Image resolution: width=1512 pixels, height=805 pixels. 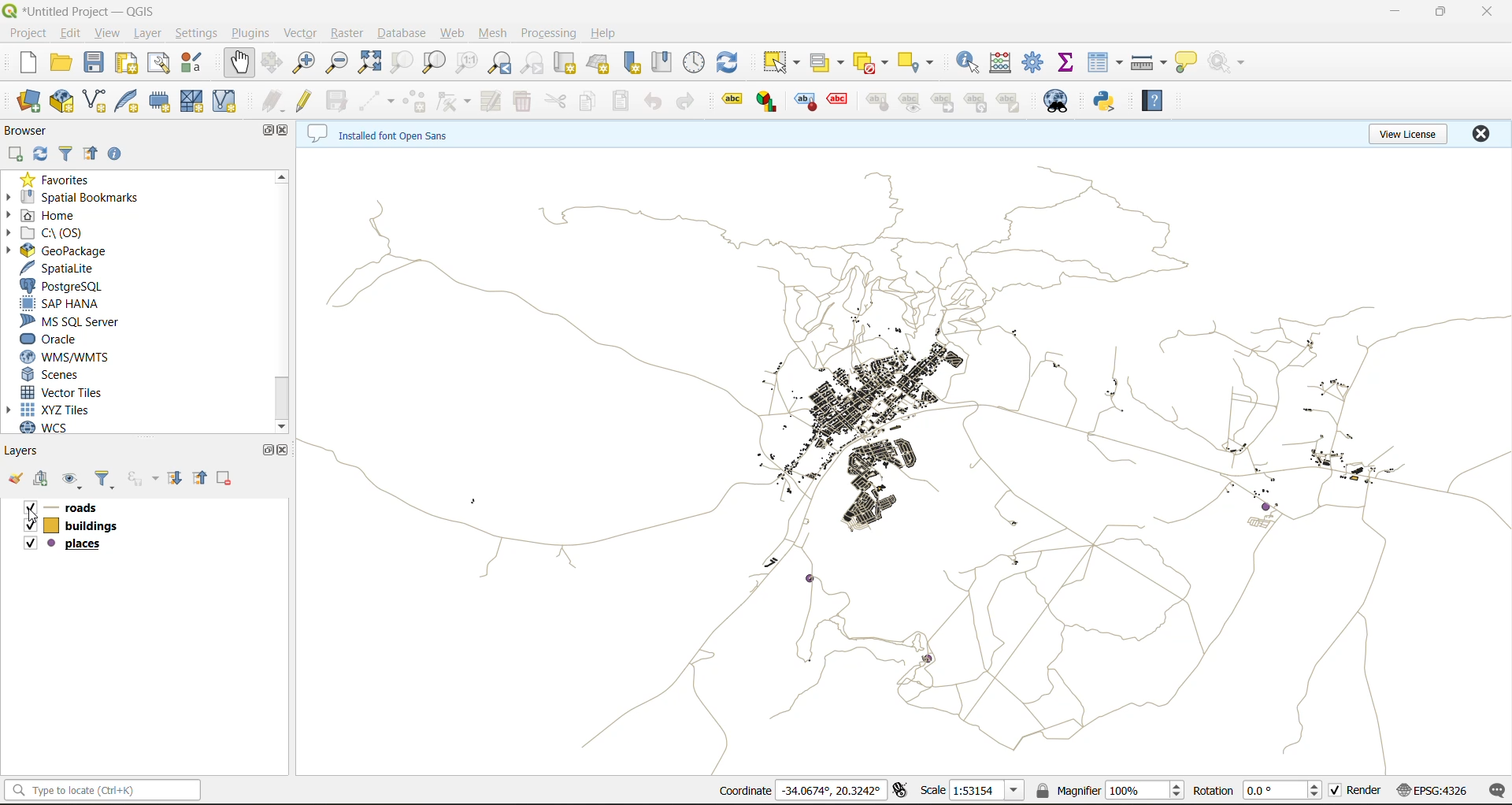 I want to click on labels toolbar 1, so click(x=732, y=97).